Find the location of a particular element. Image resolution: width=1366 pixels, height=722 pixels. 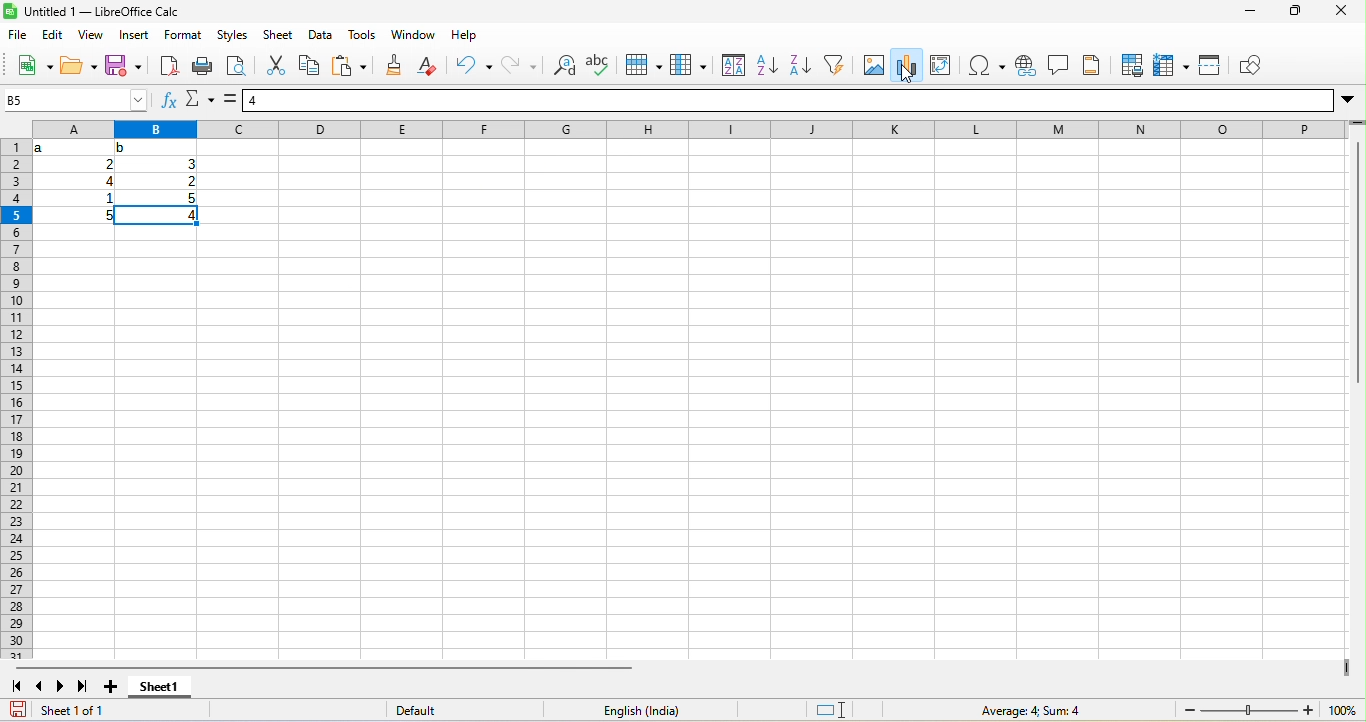

chart is located at coordinates (907, 65).